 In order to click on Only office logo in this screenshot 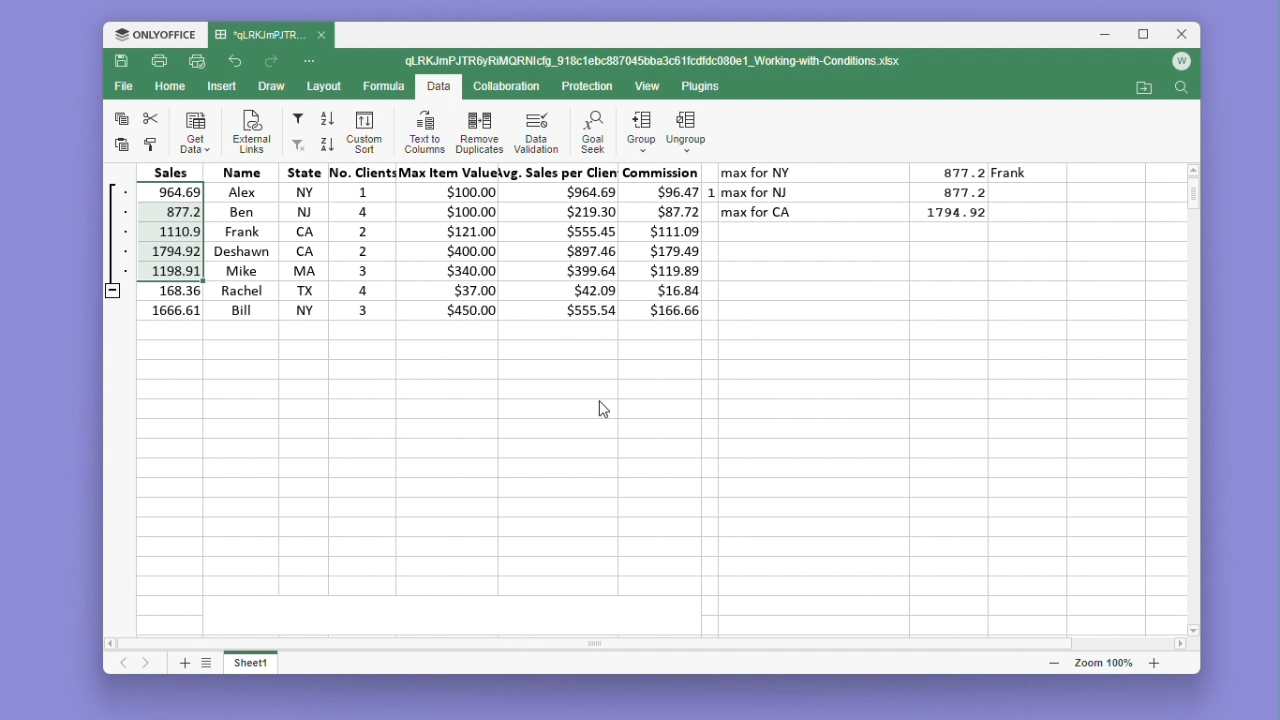, I will do `click(155, 36)`.